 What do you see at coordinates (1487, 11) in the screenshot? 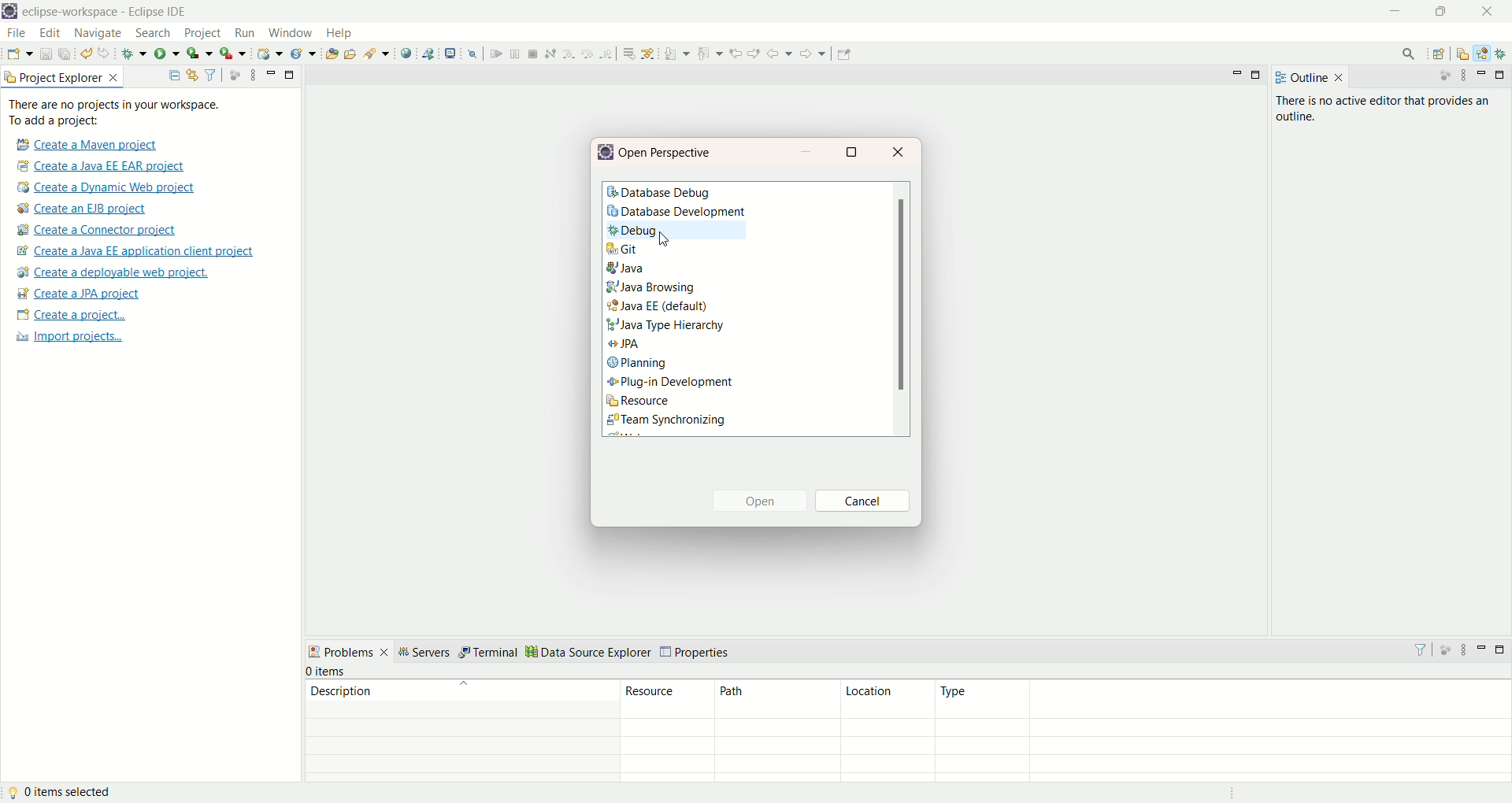
I see `close` at bounding box center [1487, 11].